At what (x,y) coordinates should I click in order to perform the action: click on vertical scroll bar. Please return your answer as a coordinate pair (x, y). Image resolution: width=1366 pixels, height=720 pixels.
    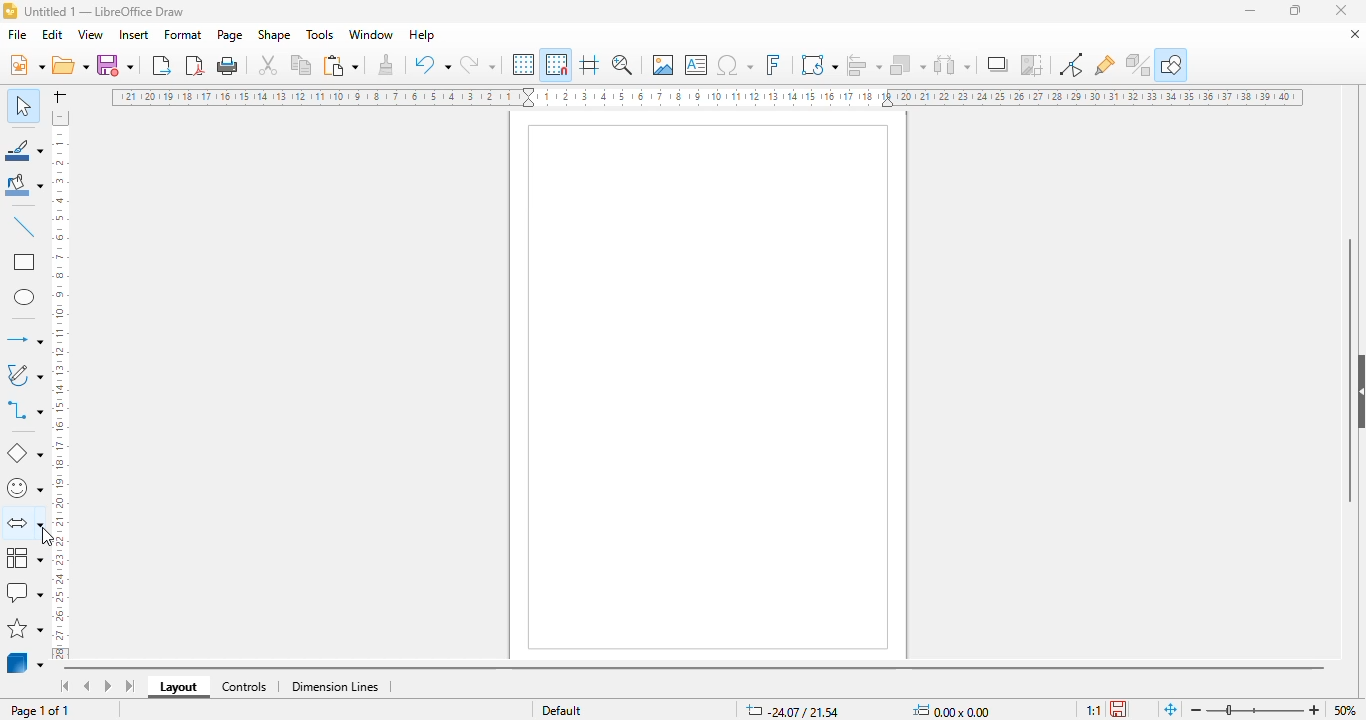
    Looking at the image, I should click on (1350, 371).